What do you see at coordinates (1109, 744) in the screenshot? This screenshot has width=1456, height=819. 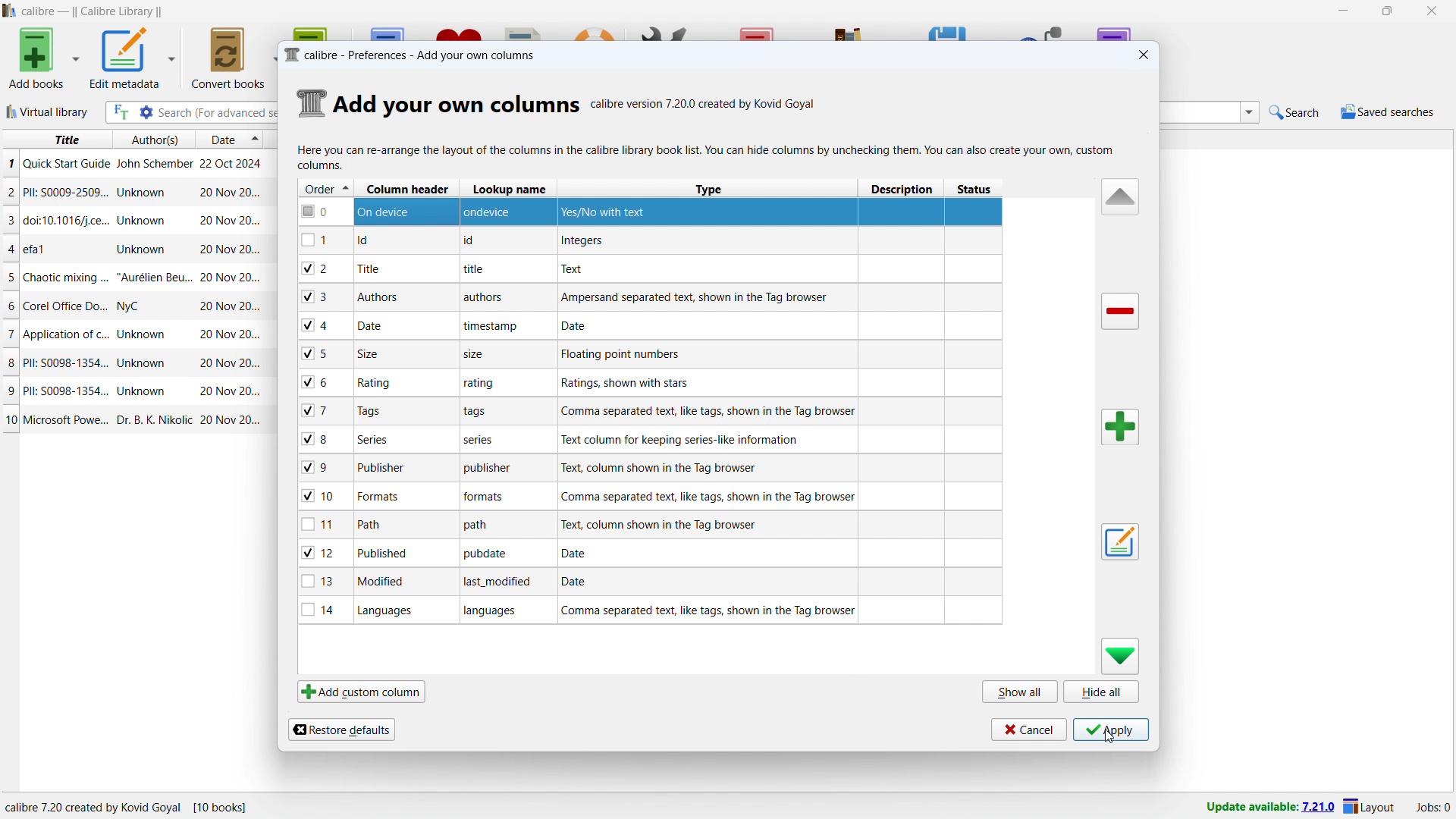 I see `cursor` at bounding box center [1109, 744].